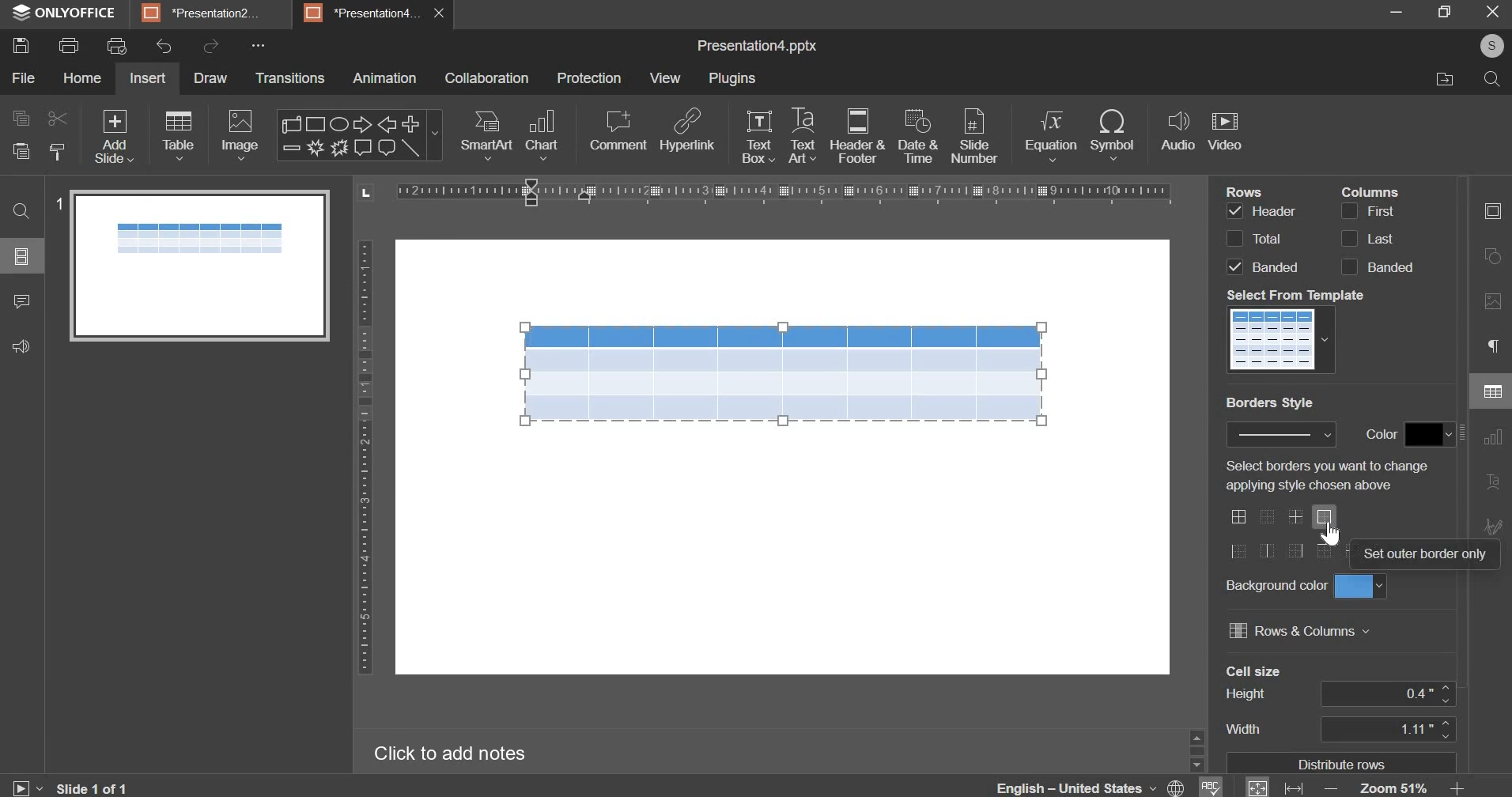  What do you see at coordinates (1225, 130) in the screenshot?
I see `video` at bounding box center [1225, 130].